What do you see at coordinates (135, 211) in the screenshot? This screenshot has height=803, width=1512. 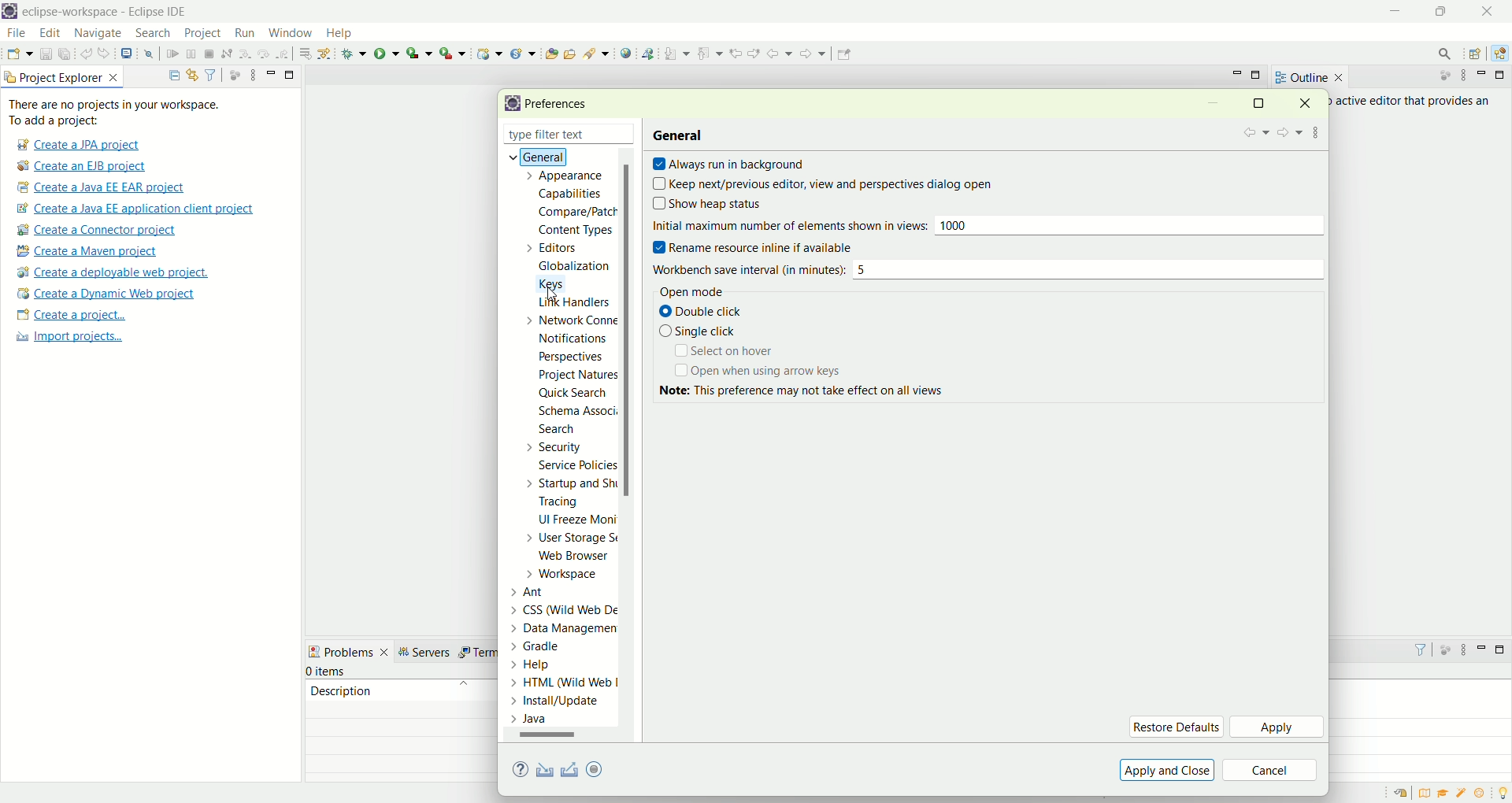 I see `create a Java EE application client project` at bounding box center [135, 211].